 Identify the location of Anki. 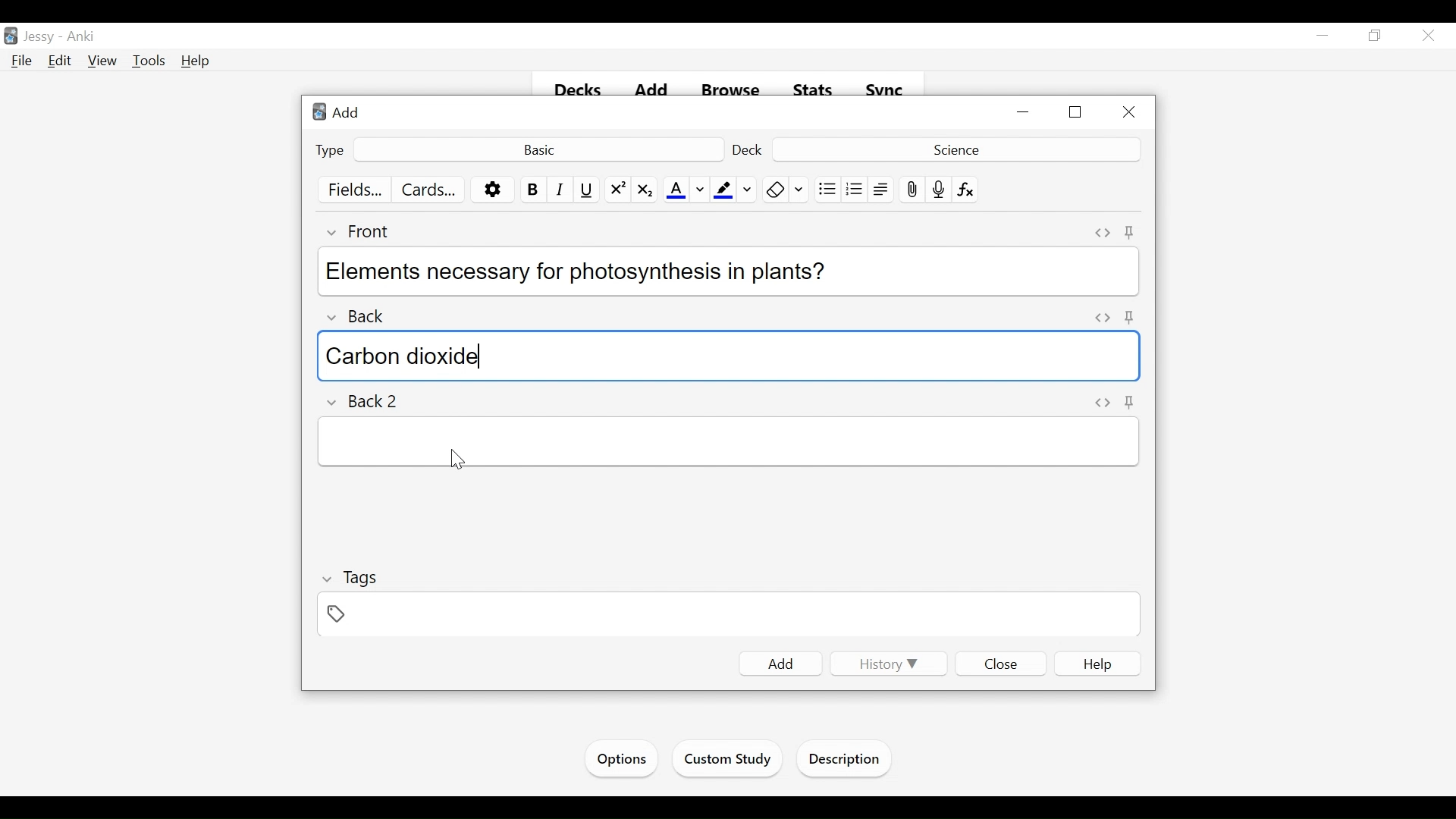
(81, 37).